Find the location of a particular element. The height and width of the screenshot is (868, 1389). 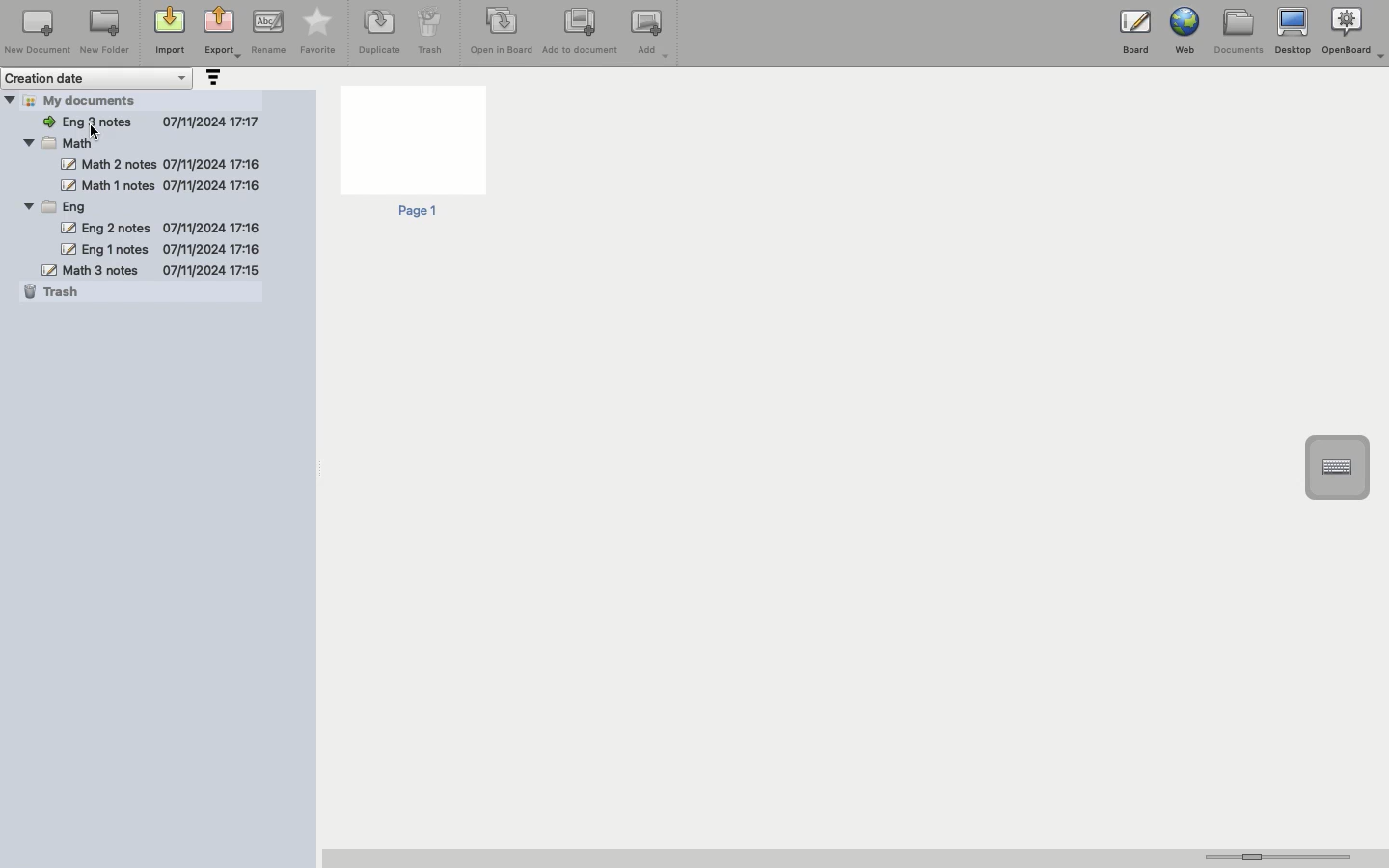

Desktop is located at coordinates (1293, 32).